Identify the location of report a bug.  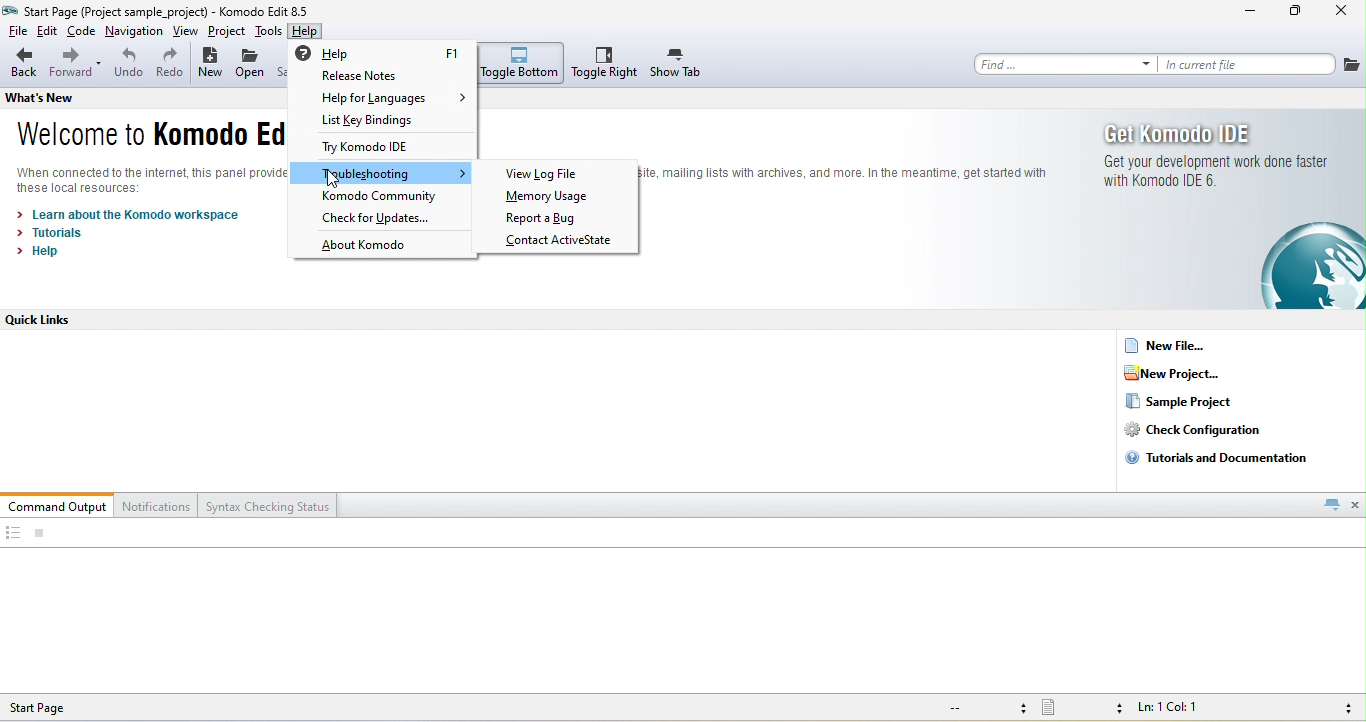
(557, 219).